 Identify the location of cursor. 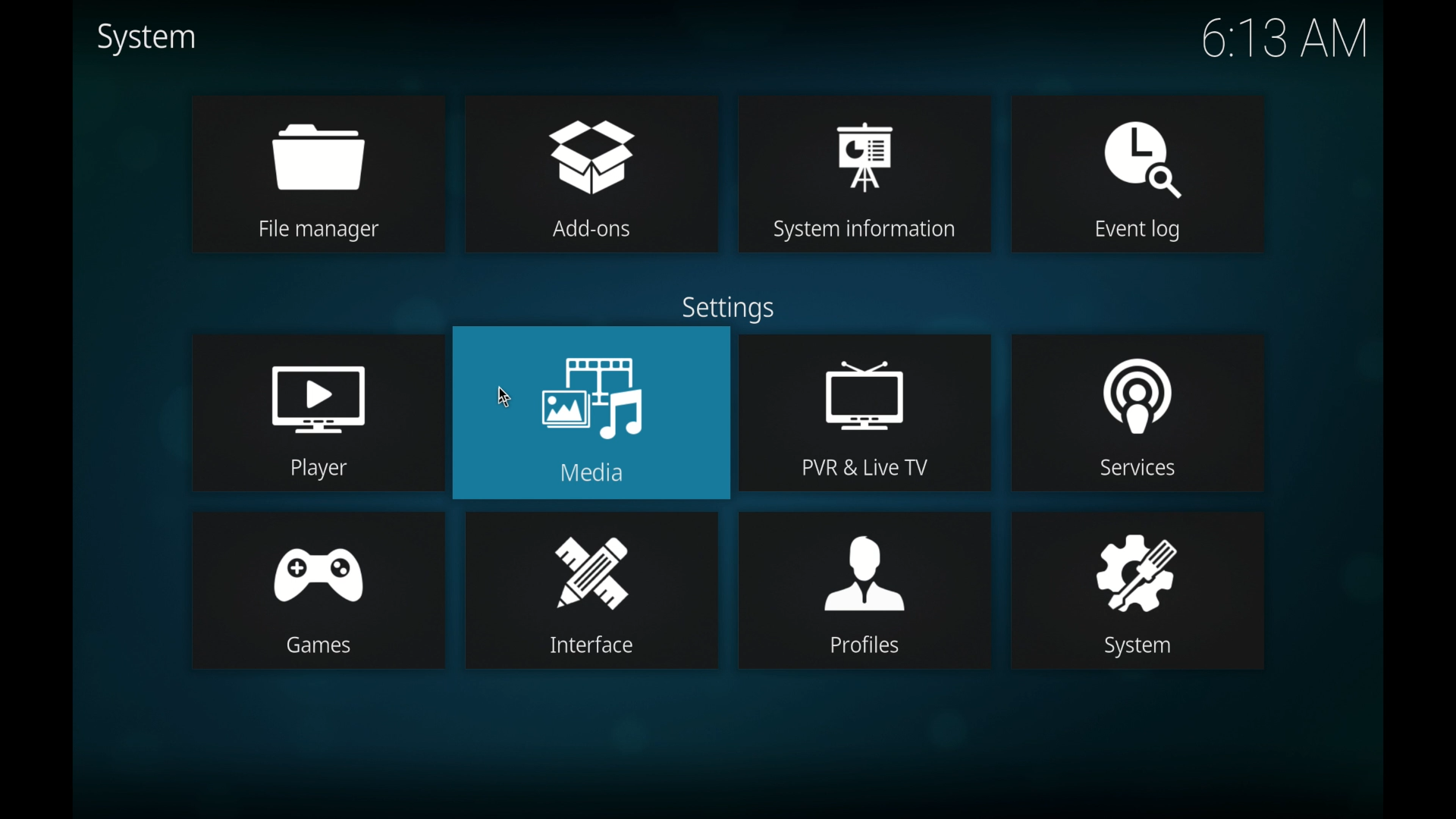
(505, 396).